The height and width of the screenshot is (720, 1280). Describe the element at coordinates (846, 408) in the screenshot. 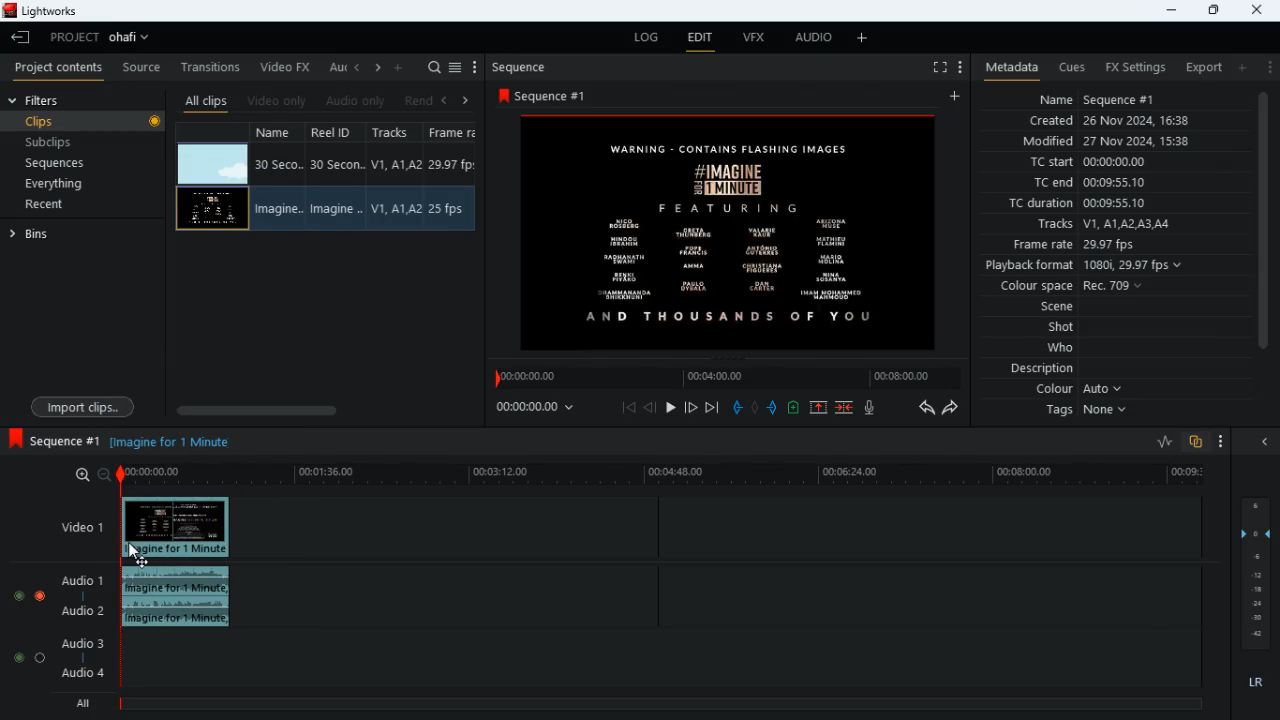

I see `merge` at that location.